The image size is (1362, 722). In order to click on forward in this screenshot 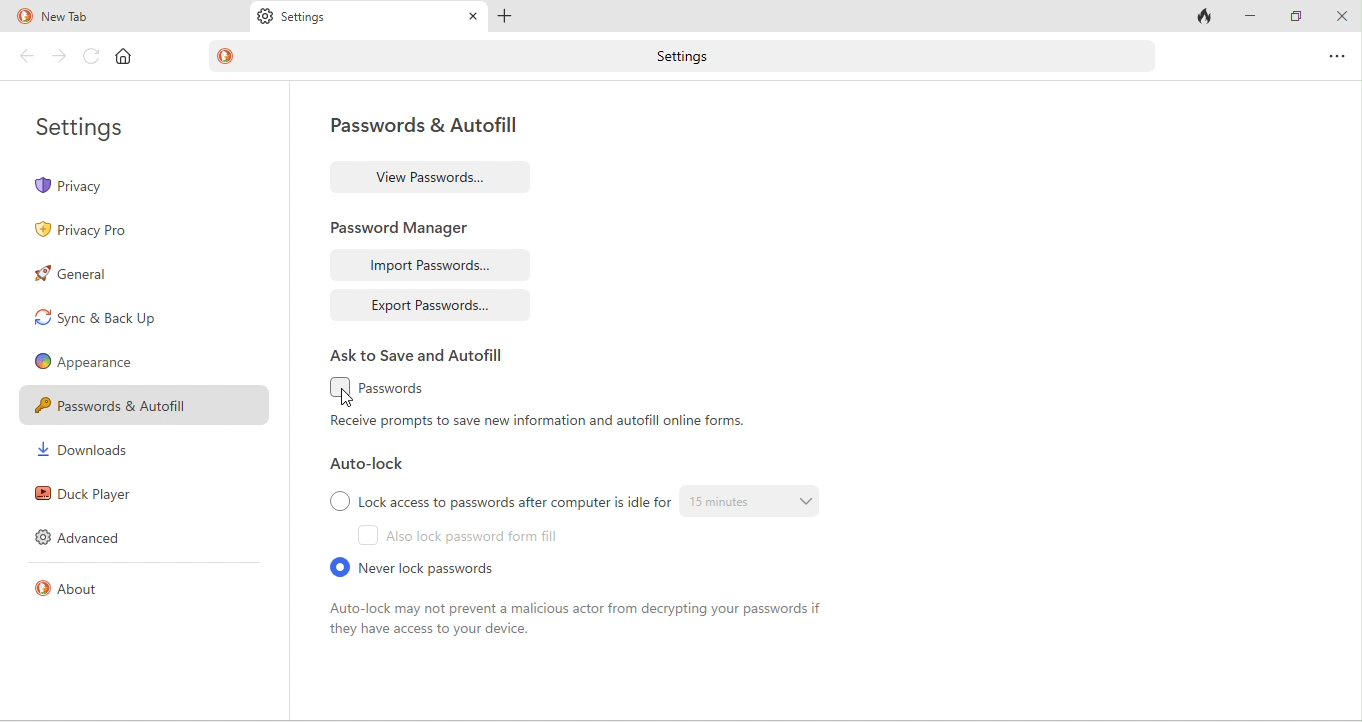, I will do `click(59, 56)`.